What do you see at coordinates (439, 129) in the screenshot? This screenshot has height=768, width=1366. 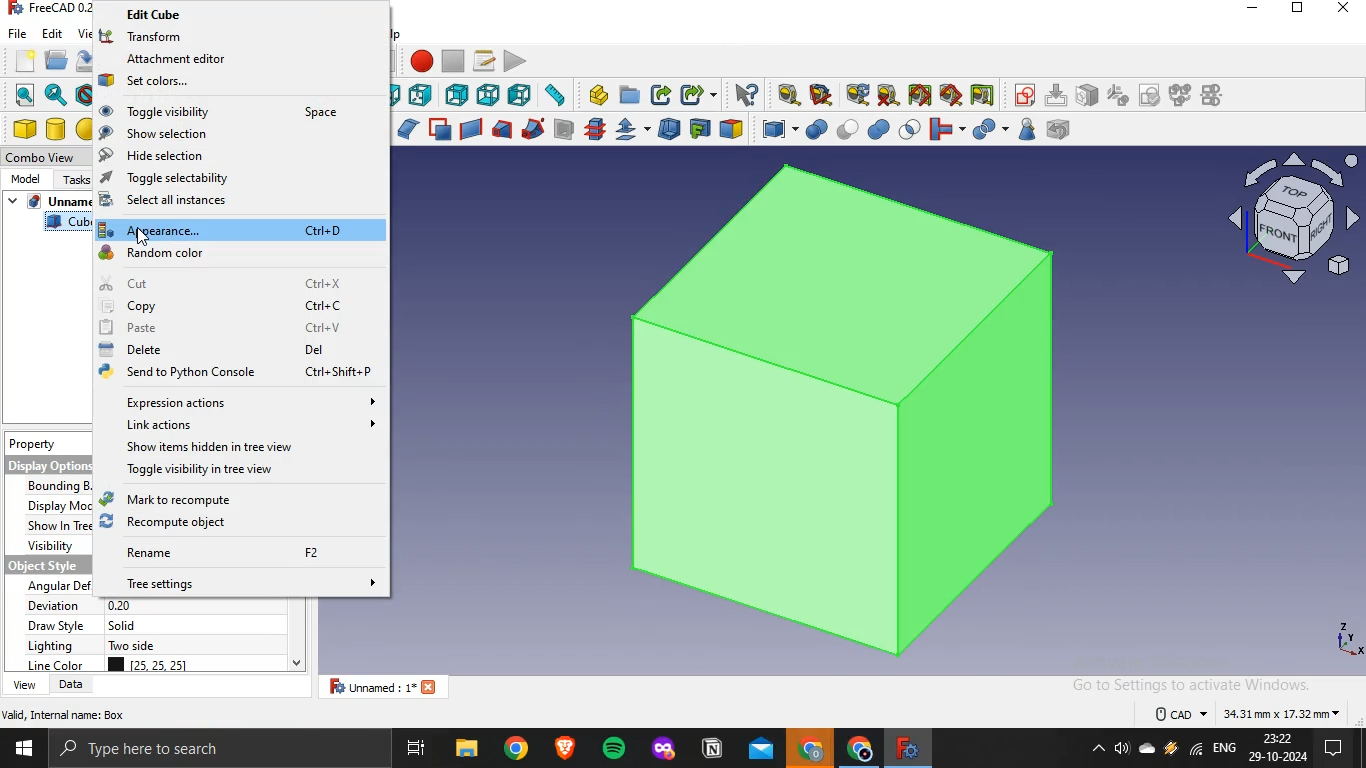 I see `make face from wires` at bounding box center [439, 129].